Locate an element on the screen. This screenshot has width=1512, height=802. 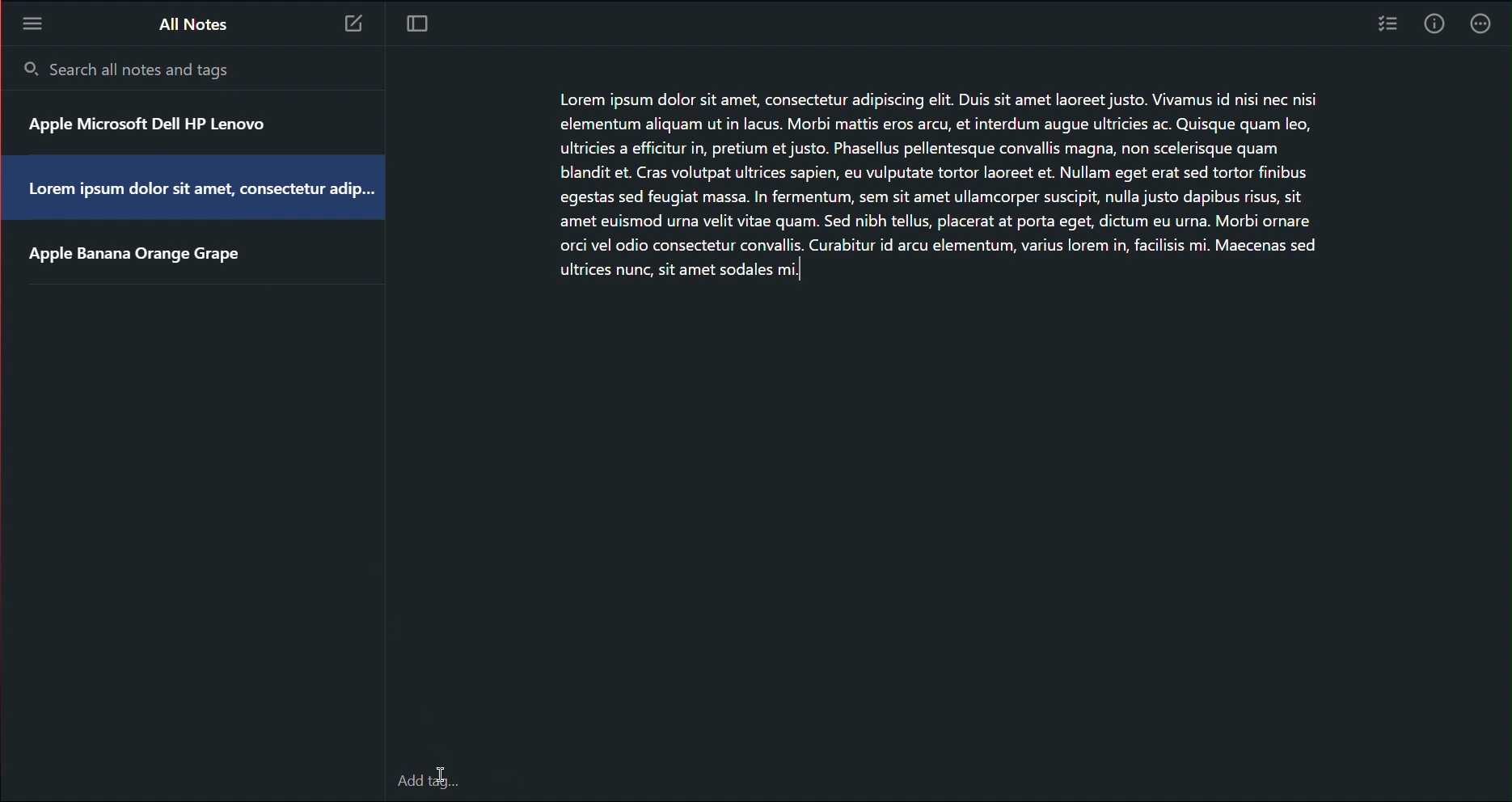
More is located at coordinates (32, 23).